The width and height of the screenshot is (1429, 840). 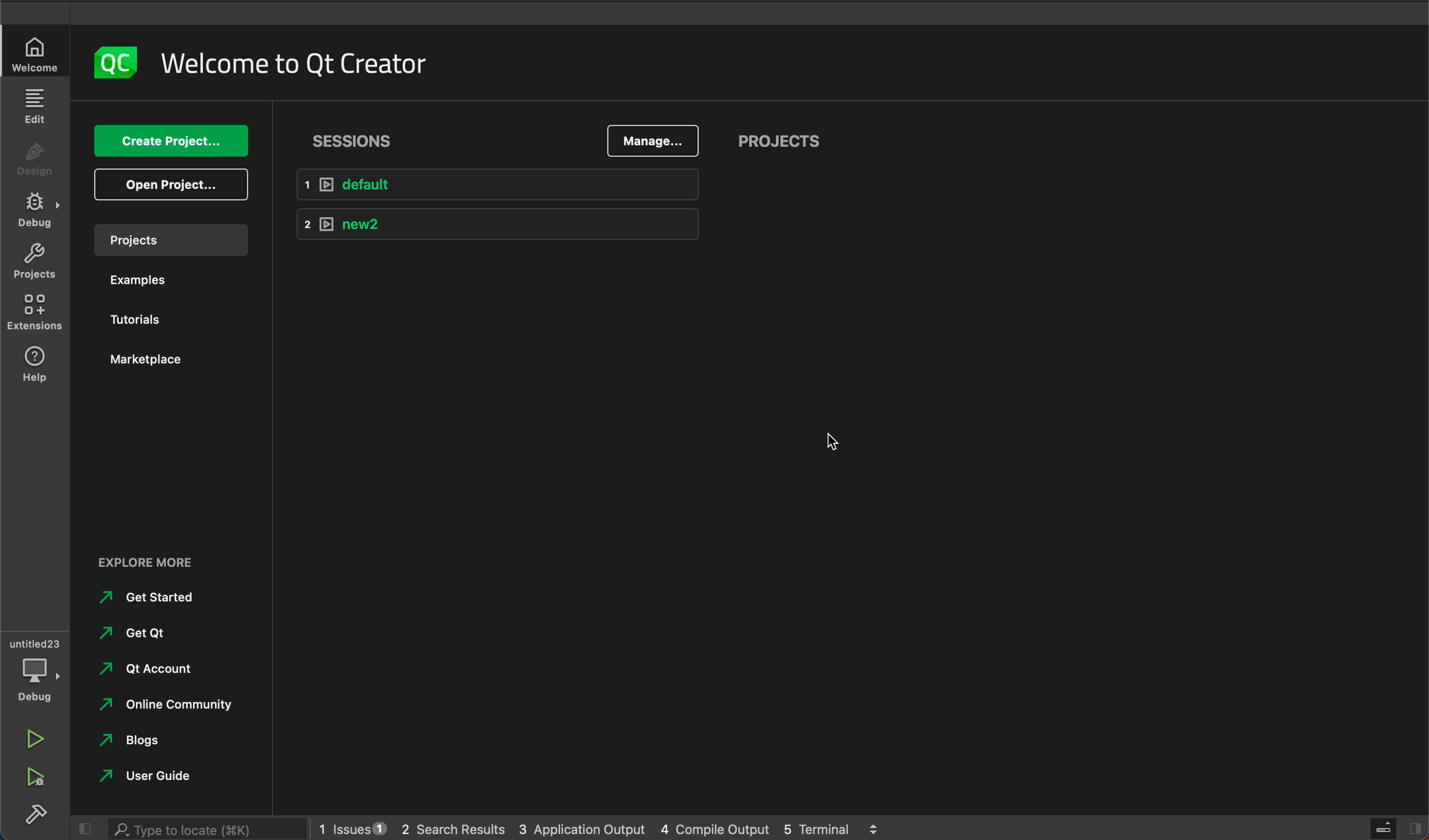 I want to click on extension, so click(x=35, y=309).